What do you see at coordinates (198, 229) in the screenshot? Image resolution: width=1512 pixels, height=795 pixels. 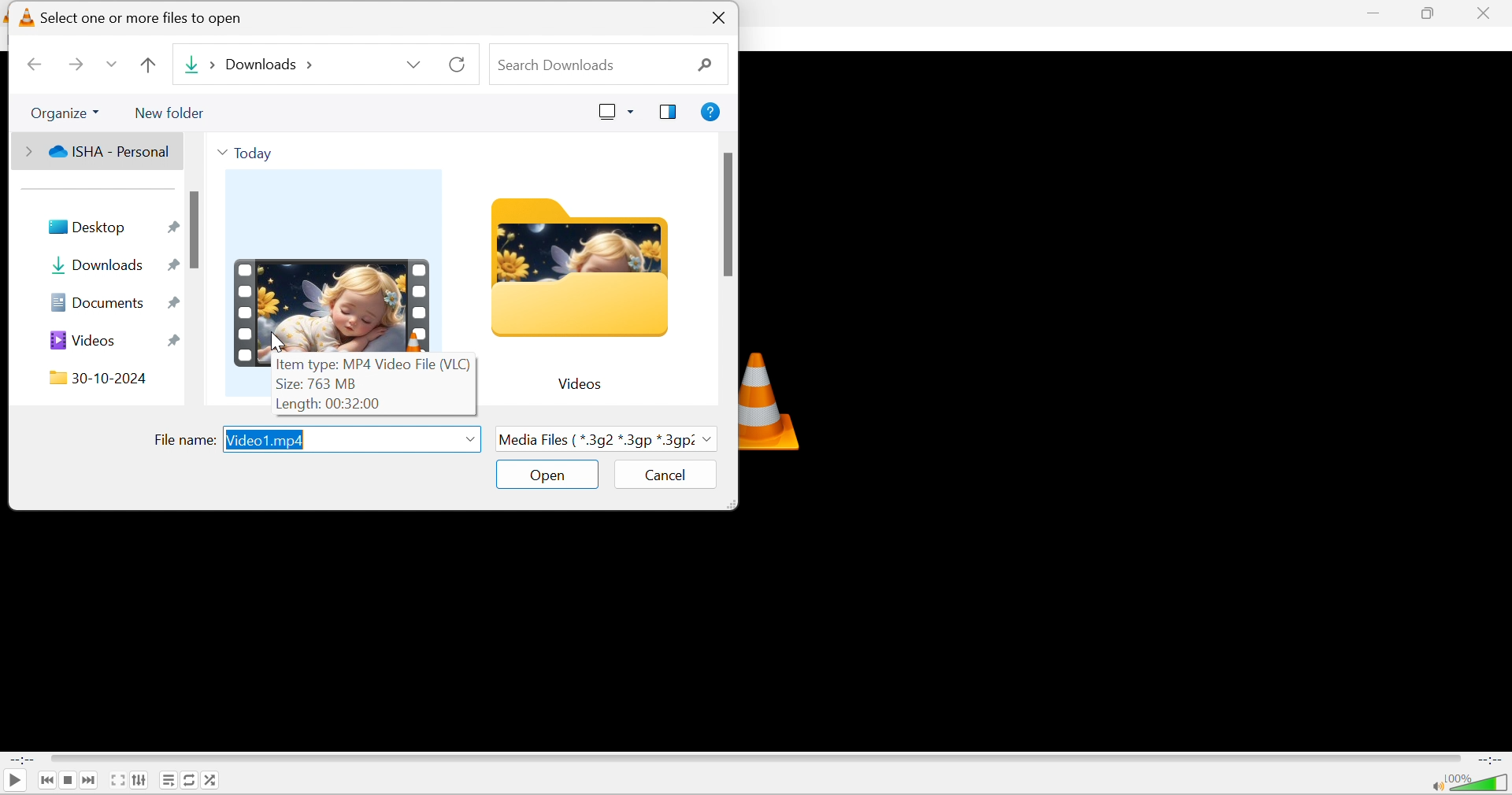 I see `scroll bar` at bounding box center [198, 229].